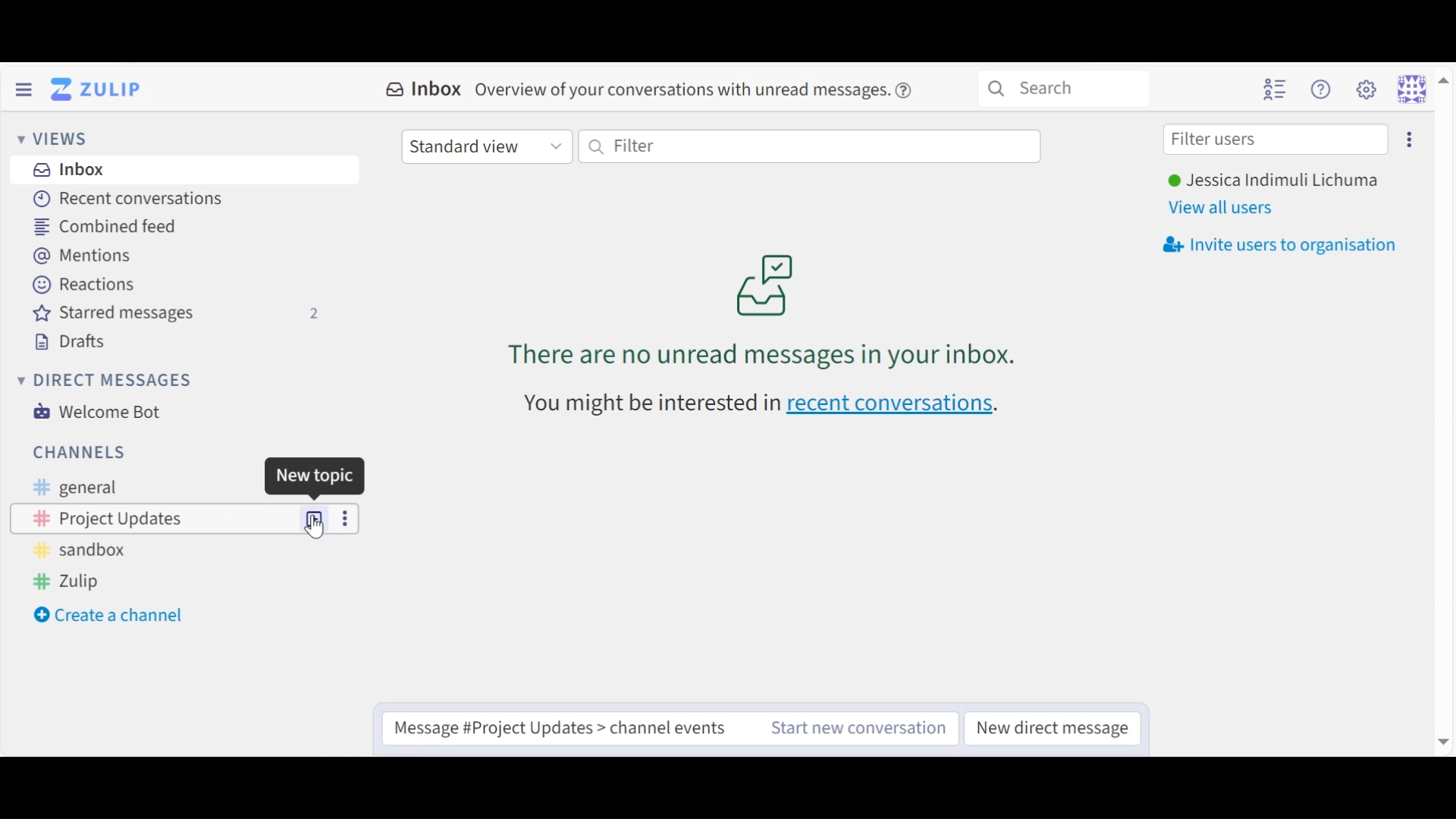 Image resolution: width=1456 pixels, height=819 pixels. What do you see at coordinates (116, 226) in the screenshot?
I see `Combined feed` at bounding box center [116, 226].